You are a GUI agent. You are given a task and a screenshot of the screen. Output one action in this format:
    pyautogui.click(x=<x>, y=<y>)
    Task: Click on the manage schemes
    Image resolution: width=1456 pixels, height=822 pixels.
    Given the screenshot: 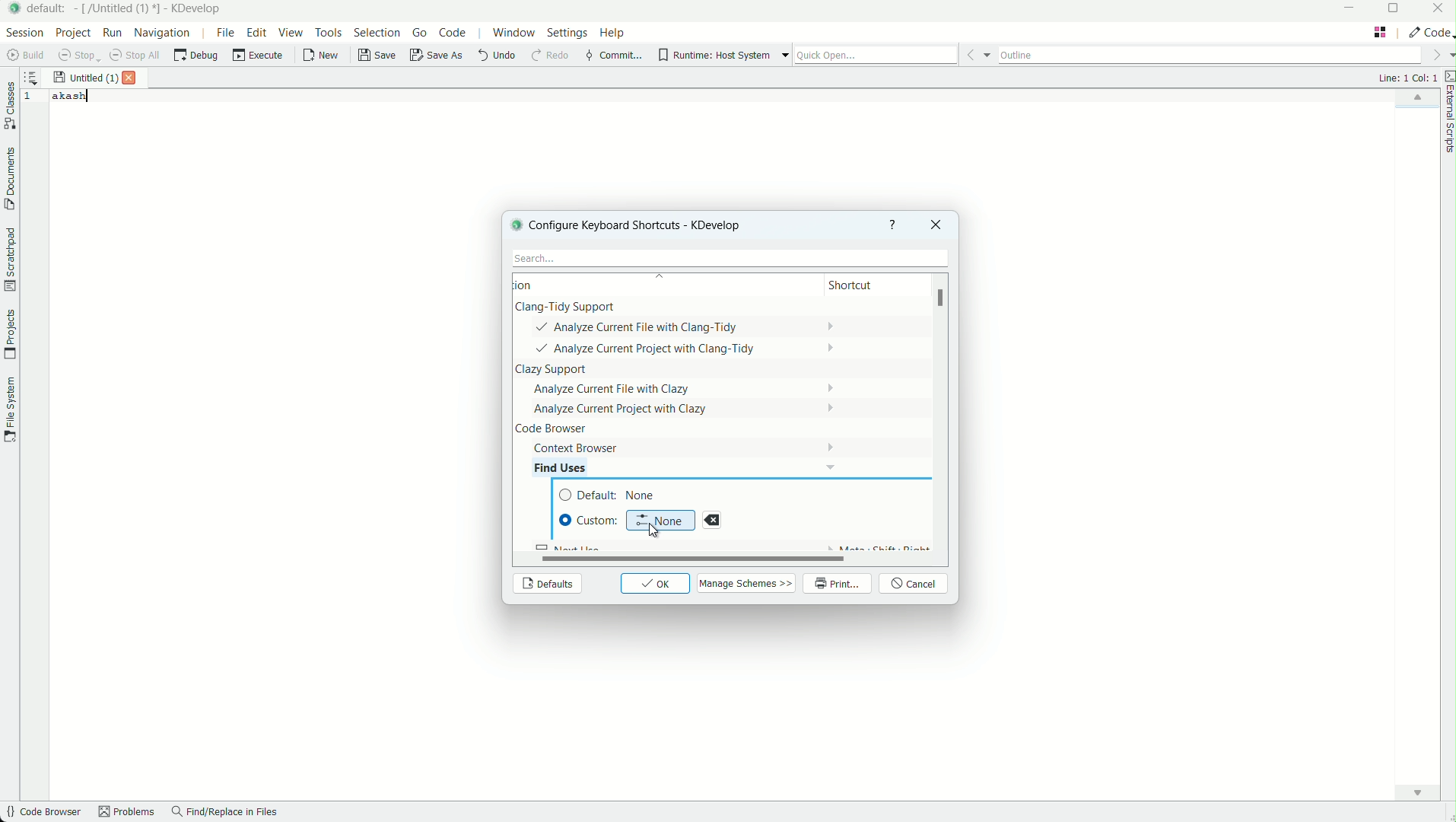 What is the action you would take?
    pyautogui.click(x=748, y=583)
    